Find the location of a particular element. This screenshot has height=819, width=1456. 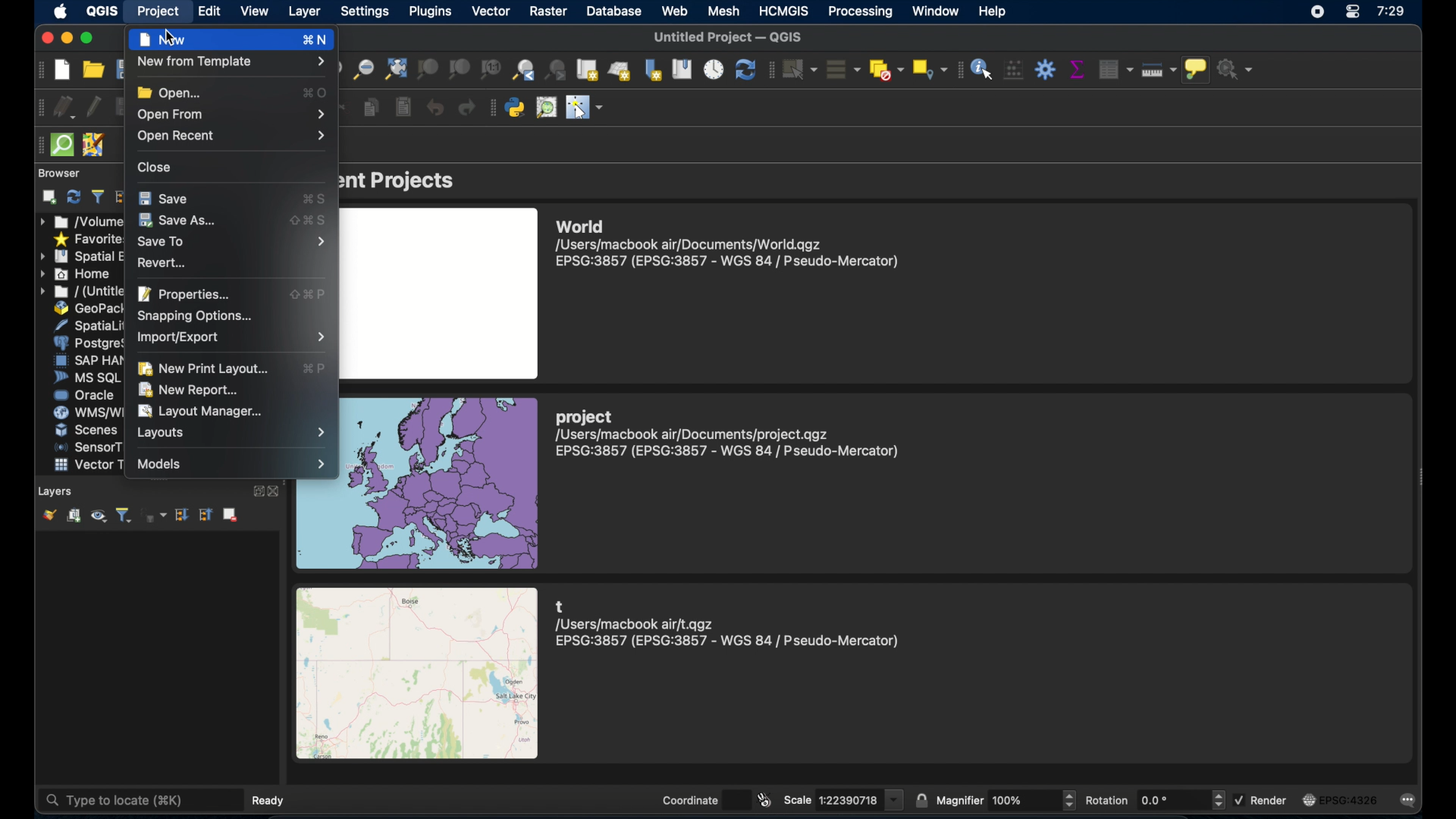

image is located at coordinates (417, 673).